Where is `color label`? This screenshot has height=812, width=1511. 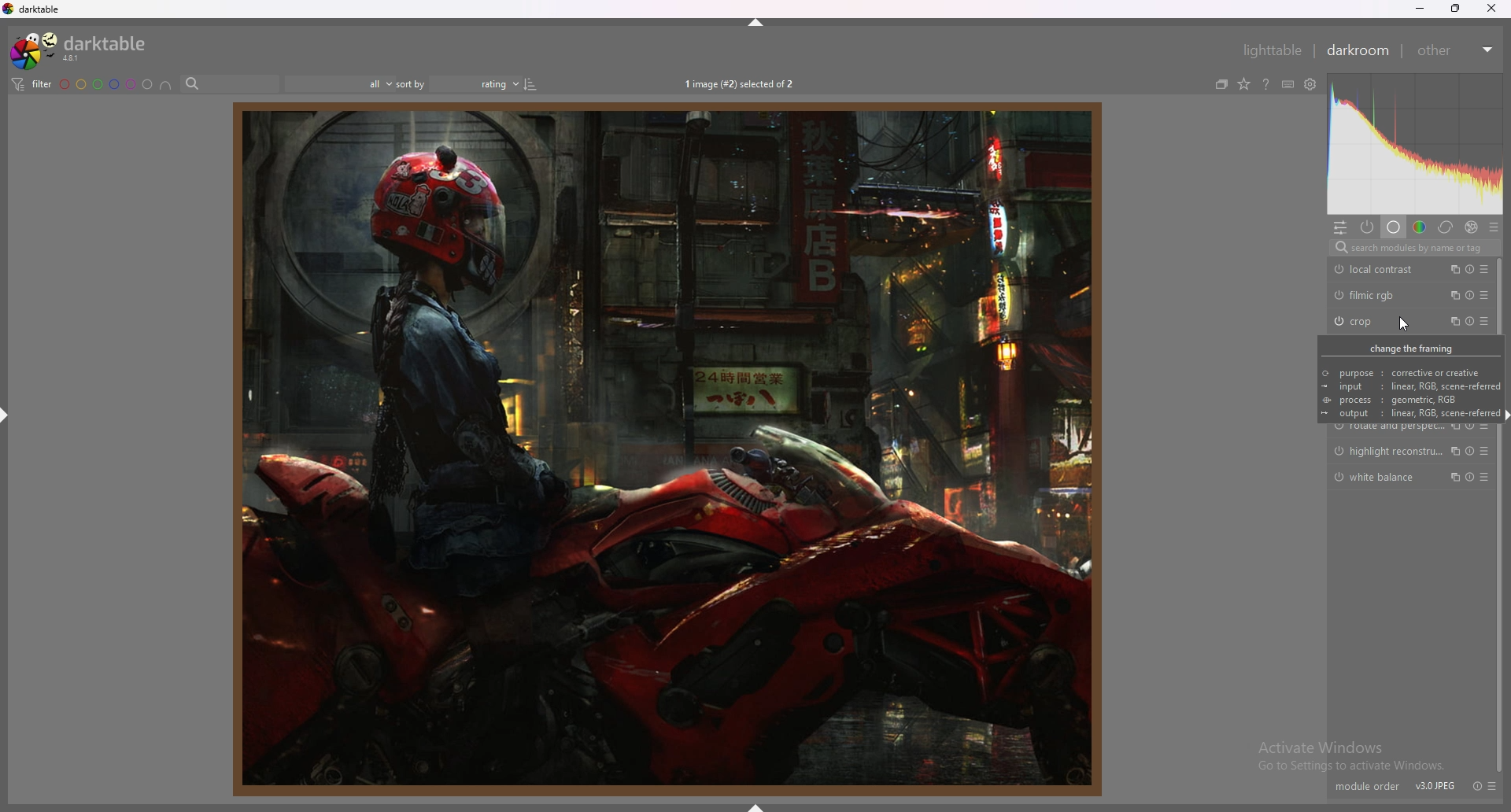
color label is located at coordinates (106, 83).